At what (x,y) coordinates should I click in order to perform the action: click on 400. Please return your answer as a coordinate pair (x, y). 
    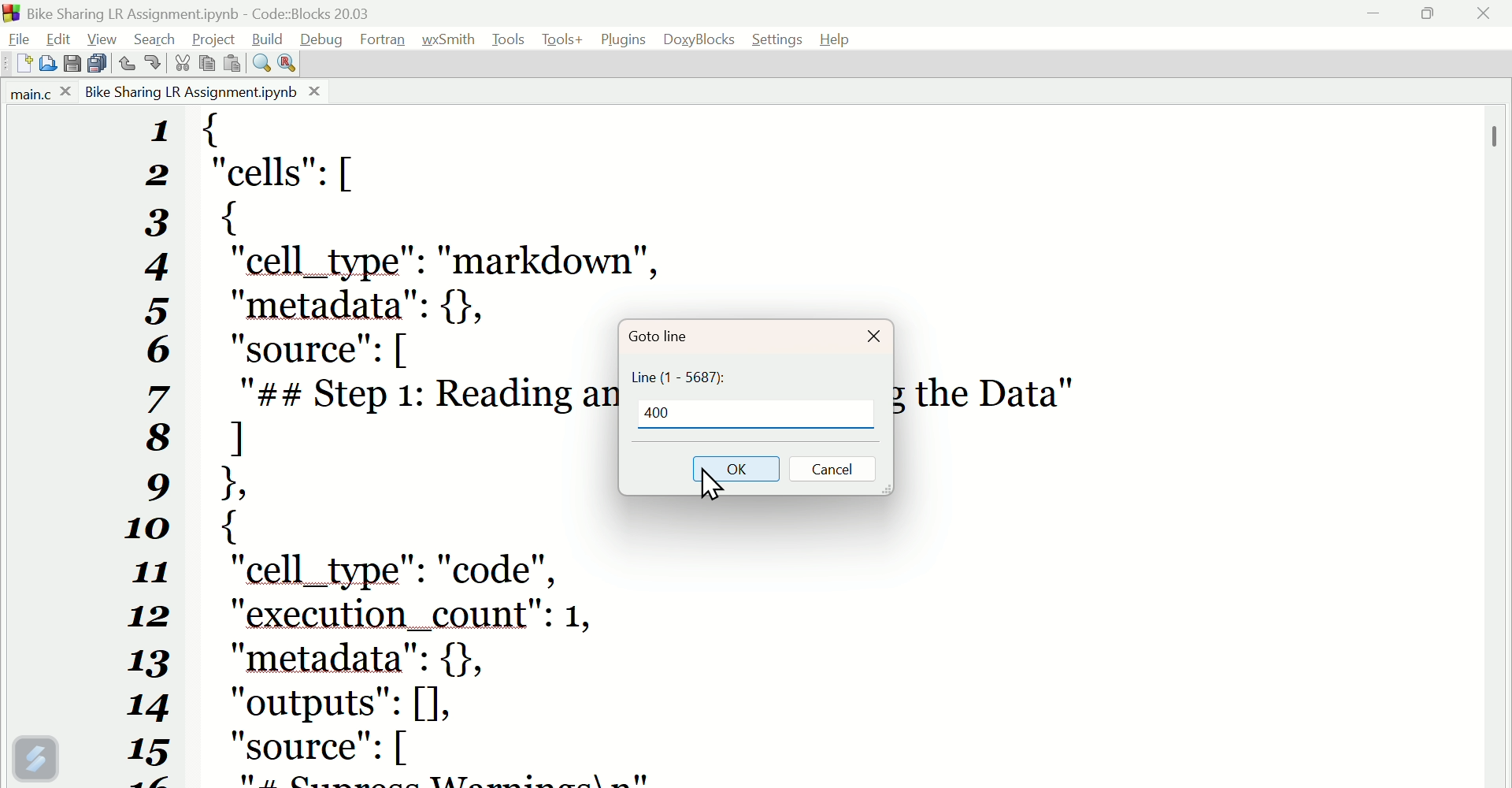
    Looking at the image, I should click on (665, 414).